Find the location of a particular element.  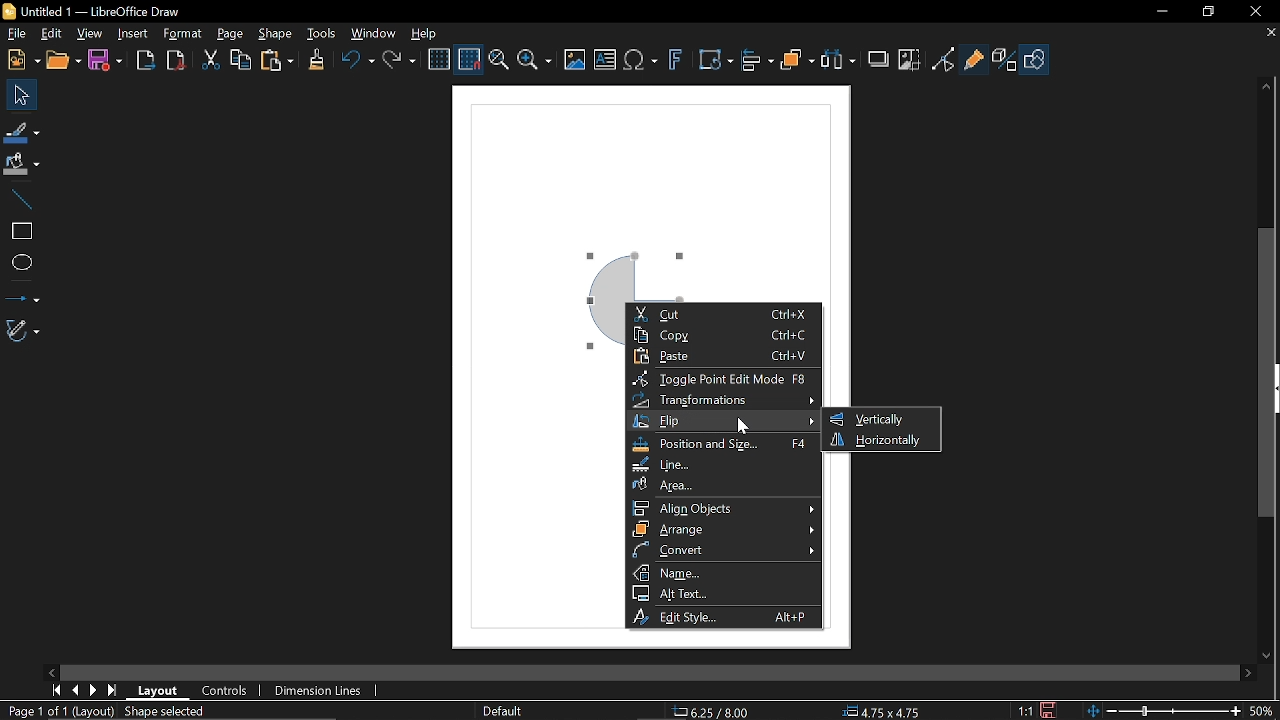

Format is located at coordinates (182, 35).